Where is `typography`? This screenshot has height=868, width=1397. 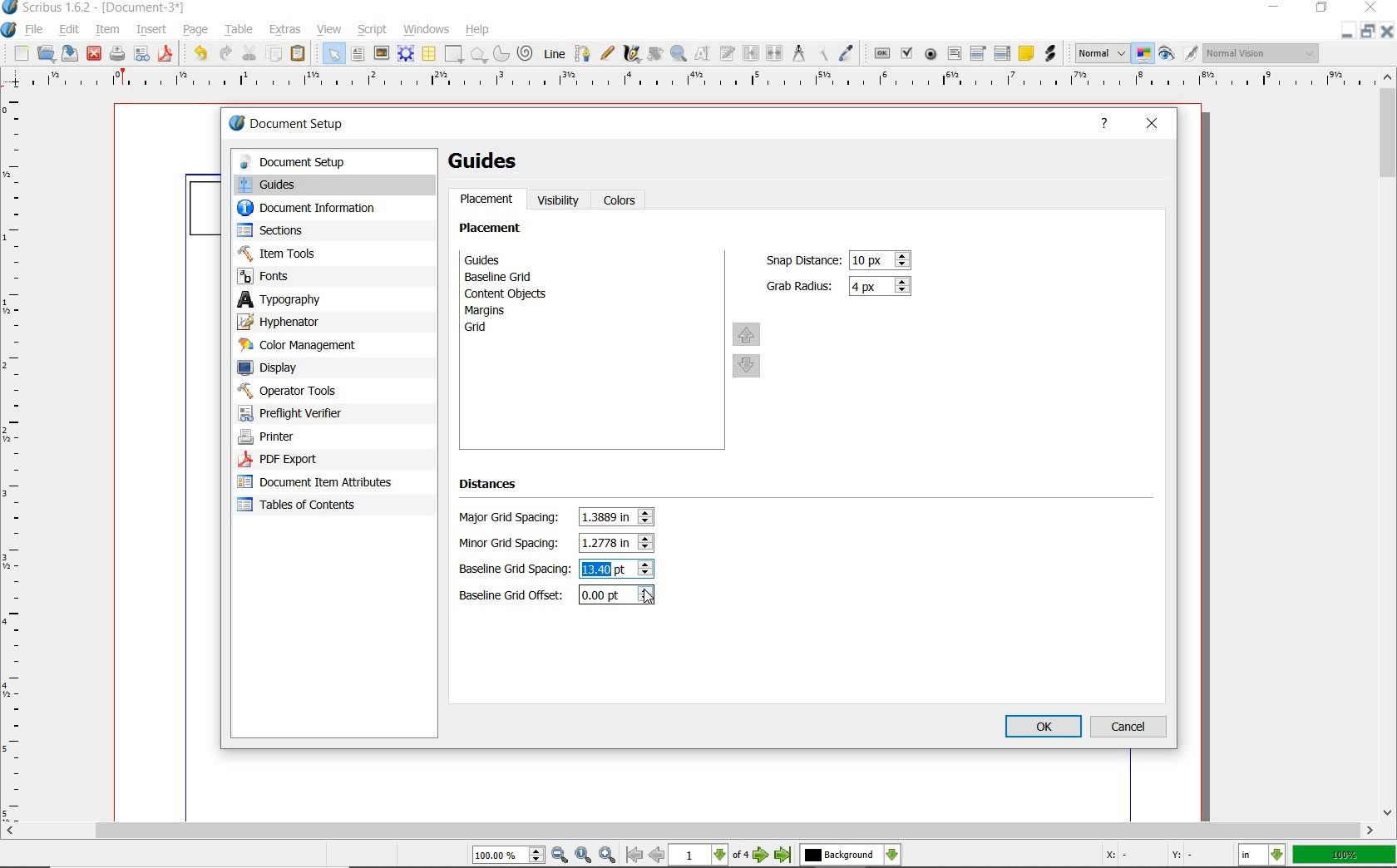
typography is located at coordinates (334, 299).